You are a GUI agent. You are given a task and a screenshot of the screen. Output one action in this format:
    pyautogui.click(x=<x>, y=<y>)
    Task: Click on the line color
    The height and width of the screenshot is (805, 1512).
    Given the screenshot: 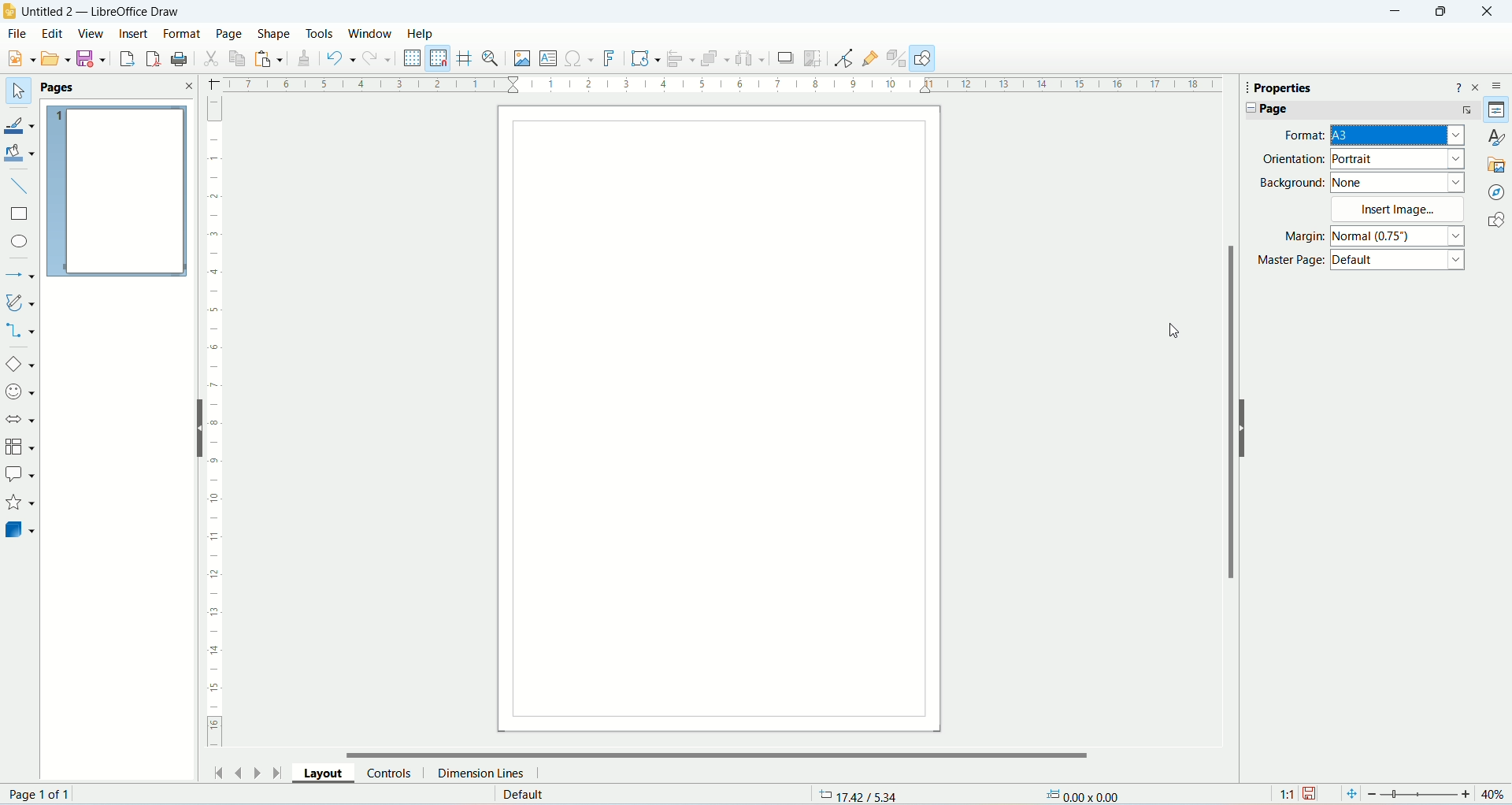 What is the action you would take?
    pyautogui.click(x=20, y=122)
    